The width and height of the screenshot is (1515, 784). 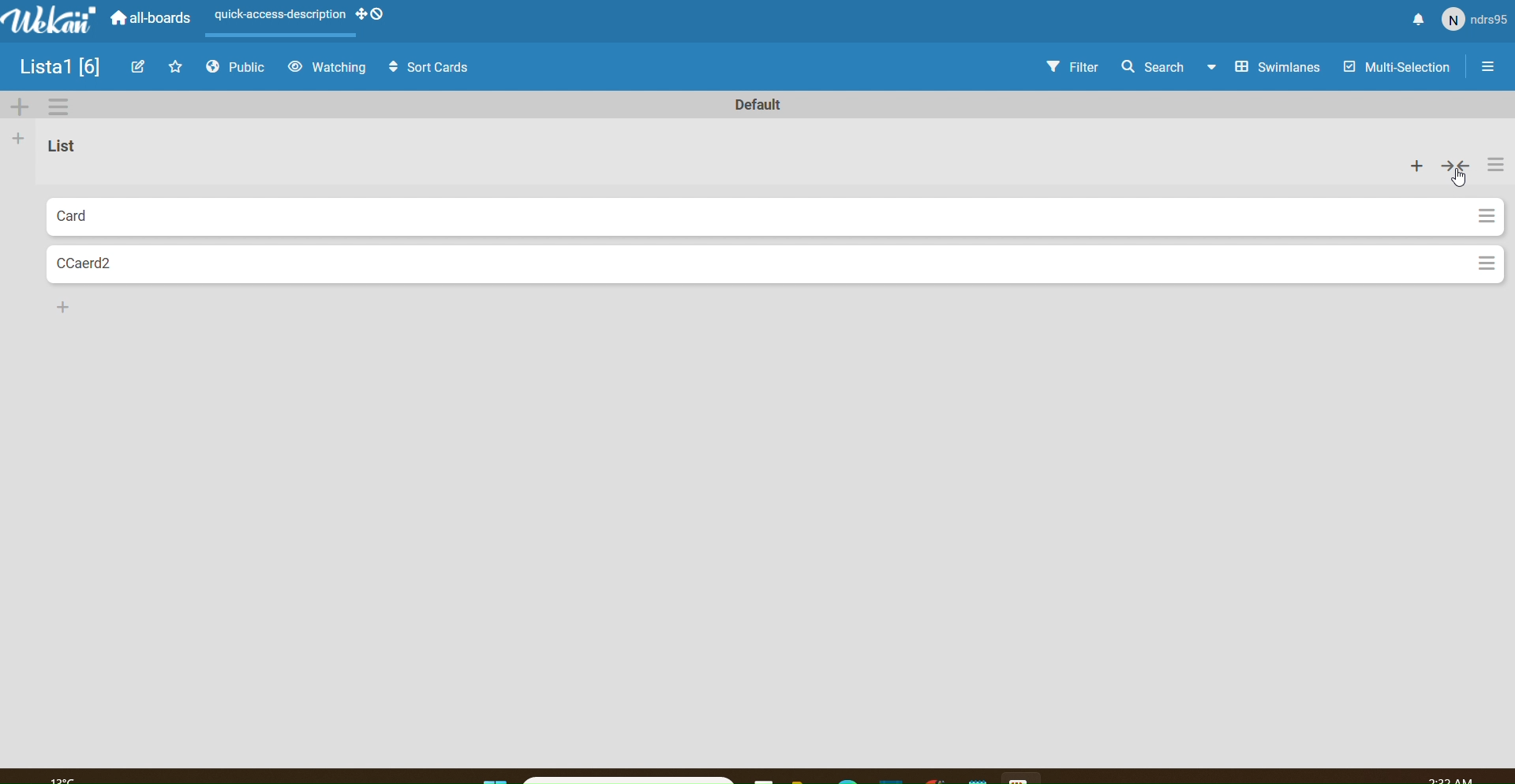 I want to click on Filter, so click(x=1073, y=66).